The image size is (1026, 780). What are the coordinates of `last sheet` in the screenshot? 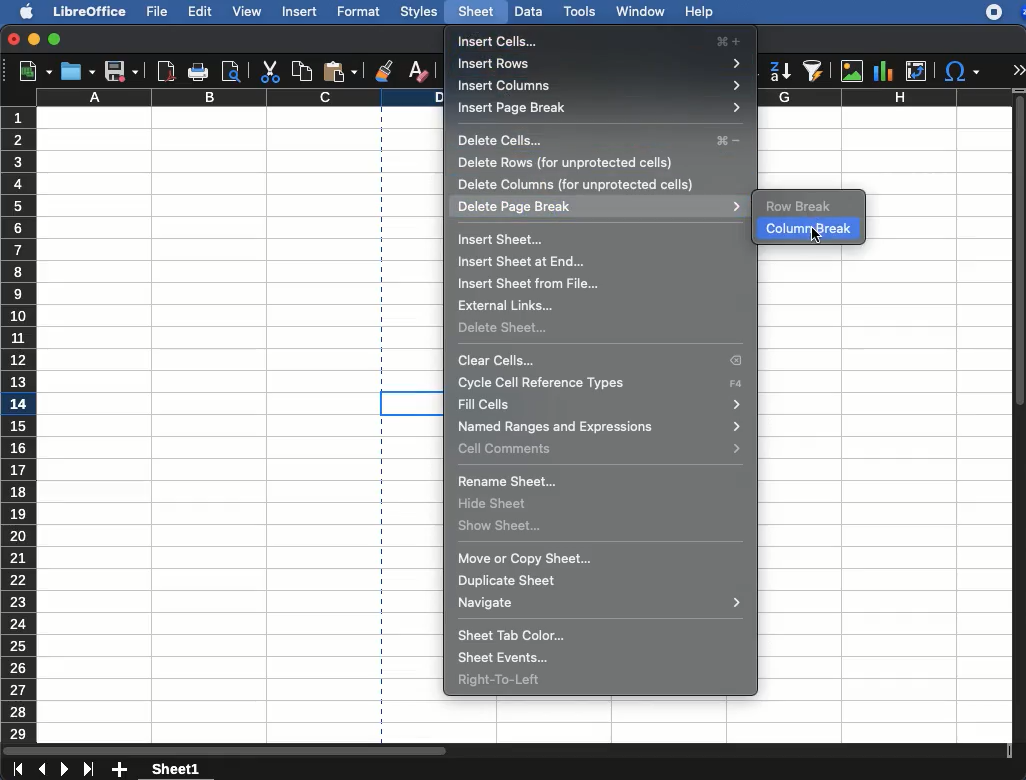 It's located at (17, 770).